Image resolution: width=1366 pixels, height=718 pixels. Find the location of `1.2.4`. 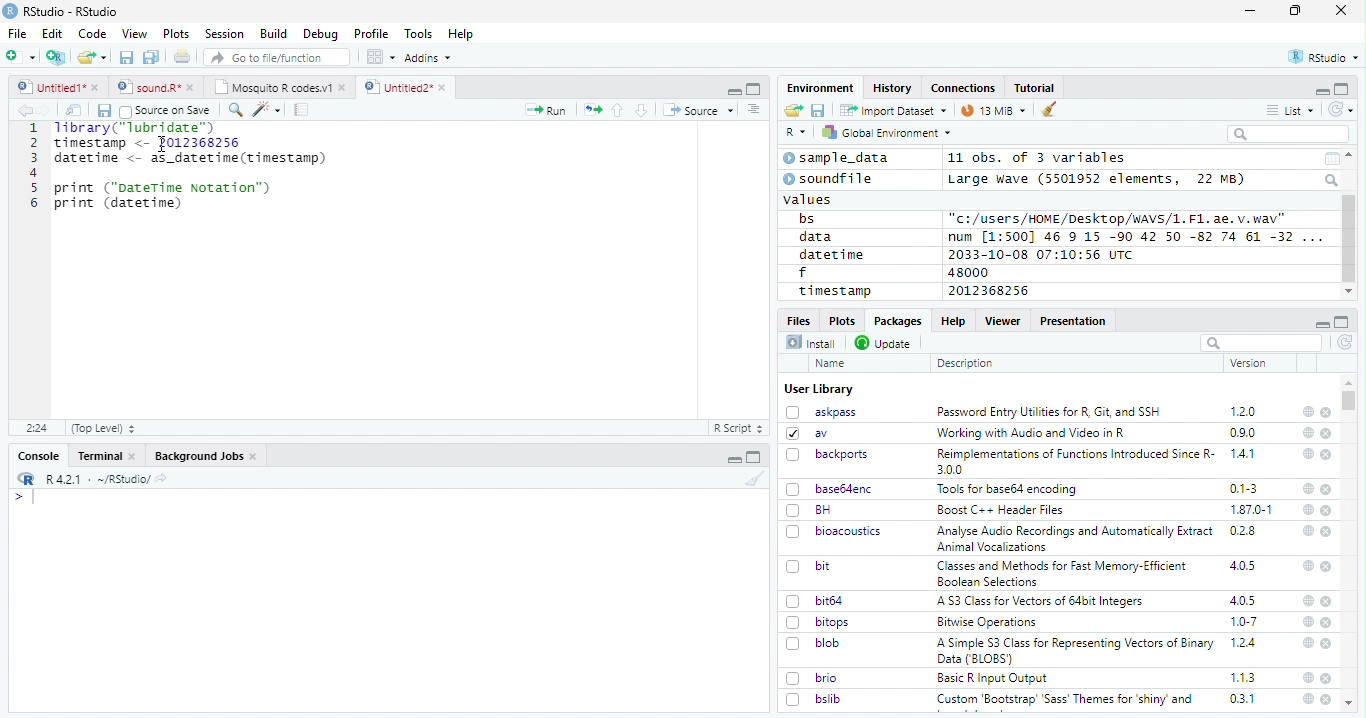

1.2.4 is located at coordinates (1245, 642).